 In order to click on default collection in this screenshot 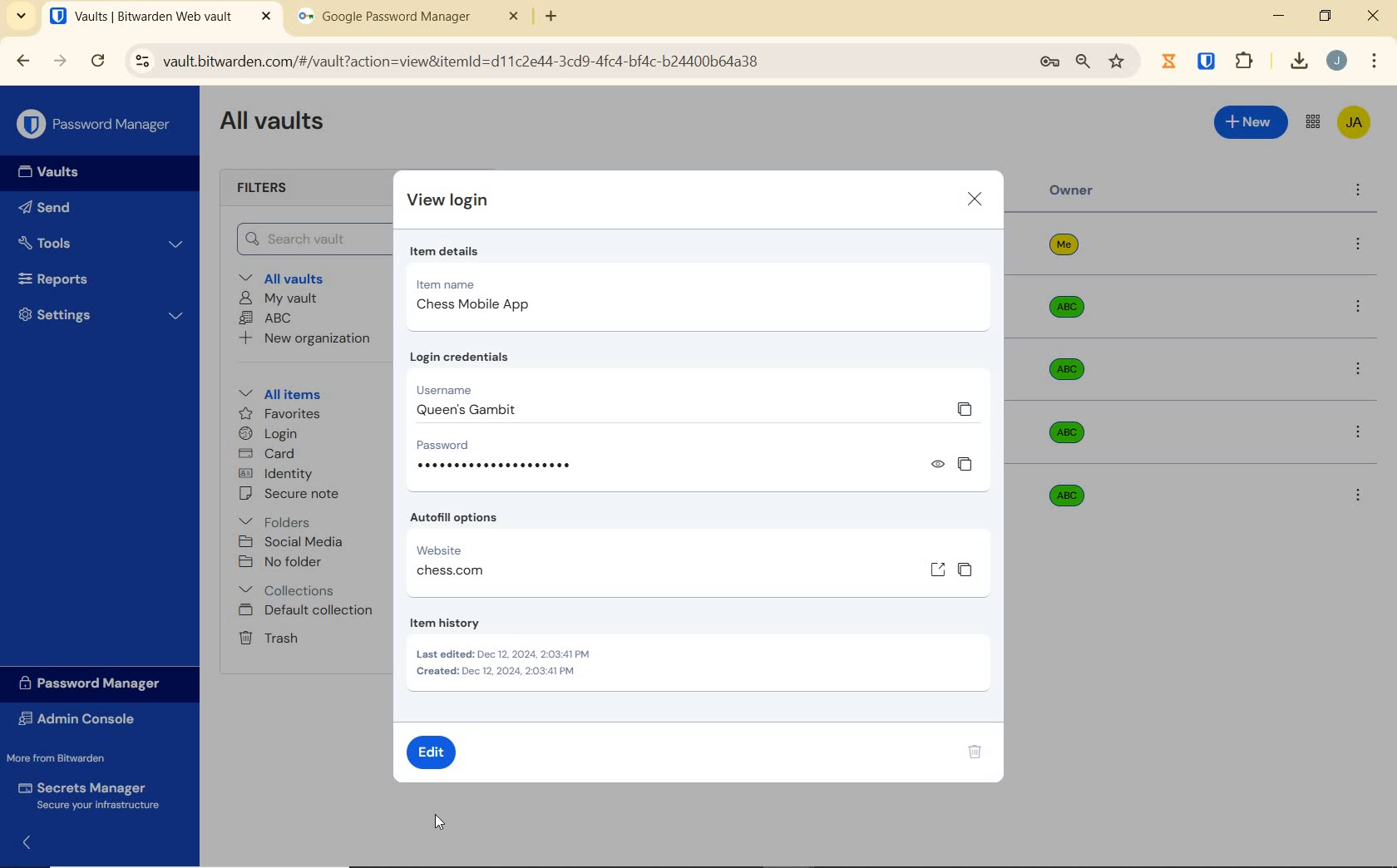, I will do `click(307, 611)`.